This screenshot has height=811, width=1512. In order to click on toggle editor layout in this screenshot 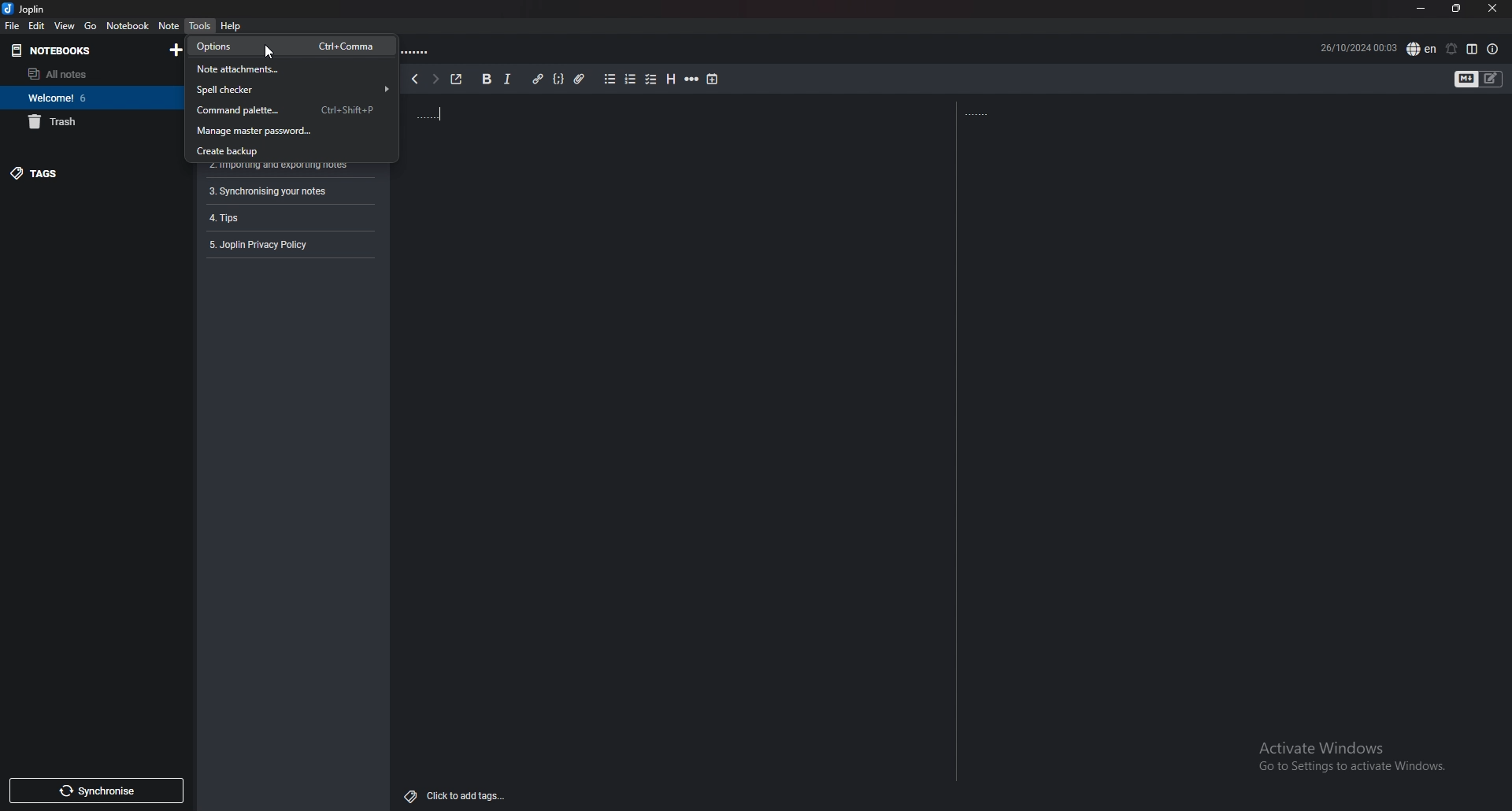, I will do `click(1473, 49)`.